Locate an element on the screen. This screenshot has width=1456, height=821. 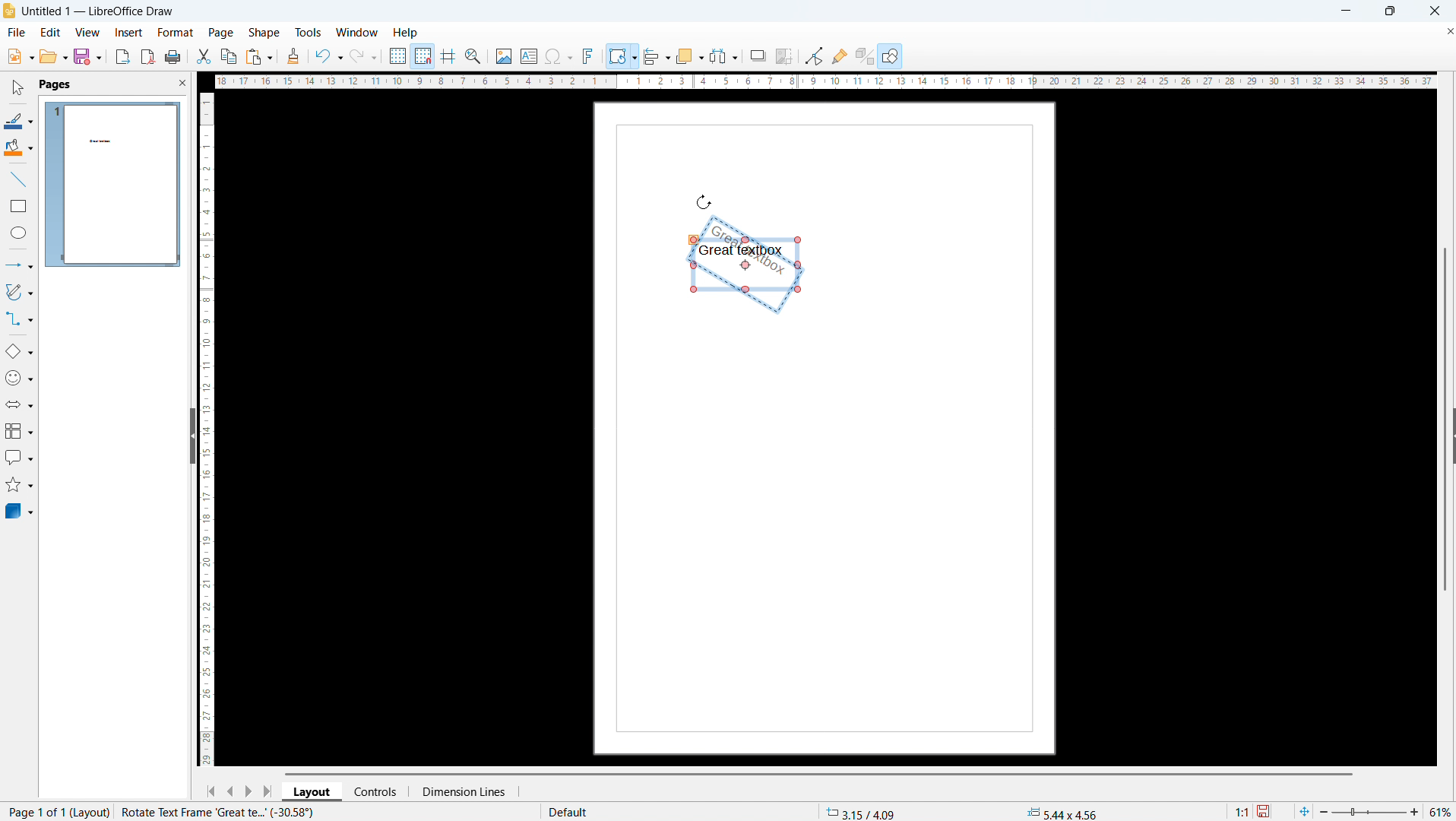
select is located at coordinates (19, 88).